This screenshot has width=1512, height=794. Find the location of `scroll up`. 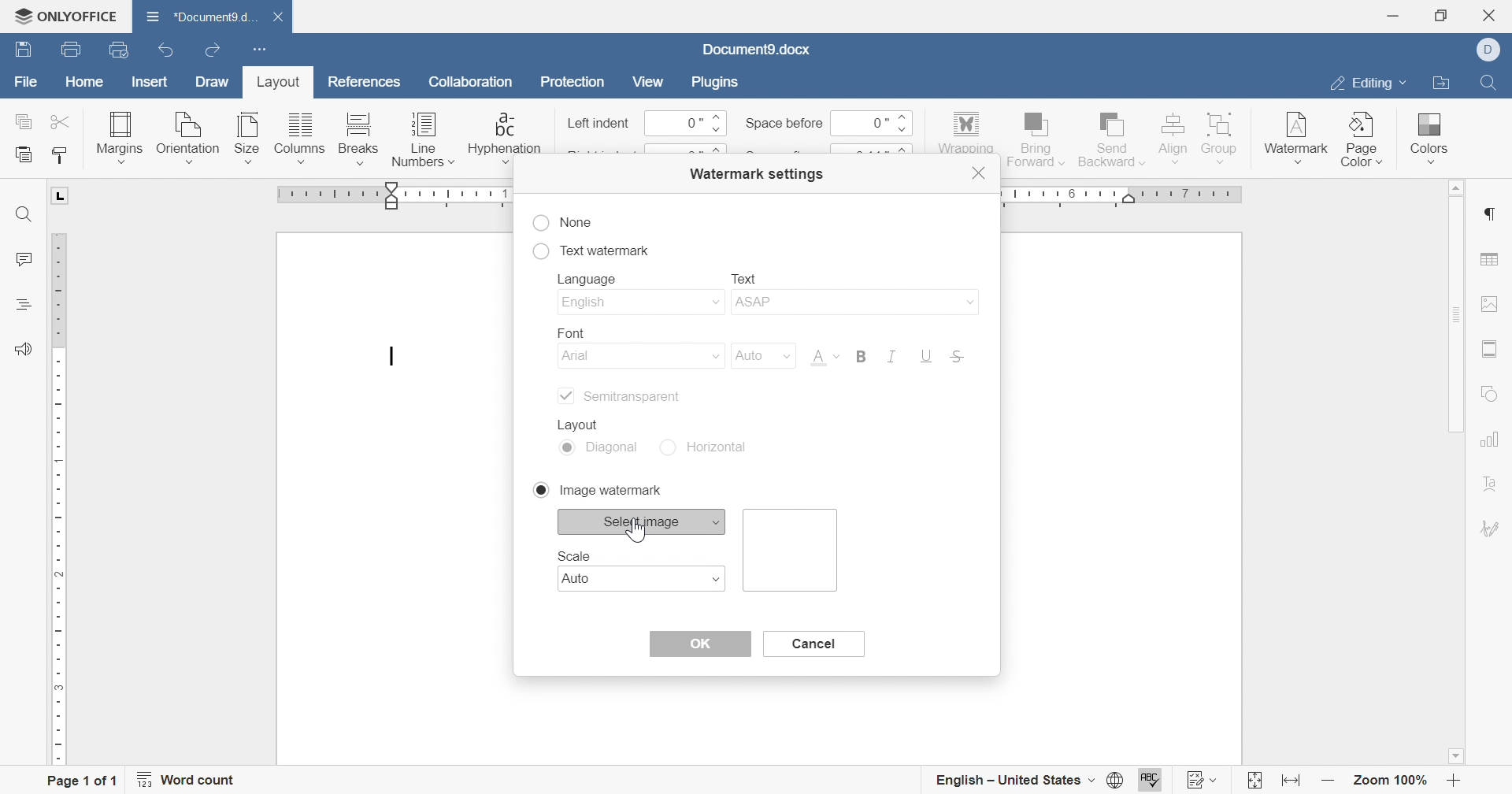

scroll up is located at coordinates (1451, 187).